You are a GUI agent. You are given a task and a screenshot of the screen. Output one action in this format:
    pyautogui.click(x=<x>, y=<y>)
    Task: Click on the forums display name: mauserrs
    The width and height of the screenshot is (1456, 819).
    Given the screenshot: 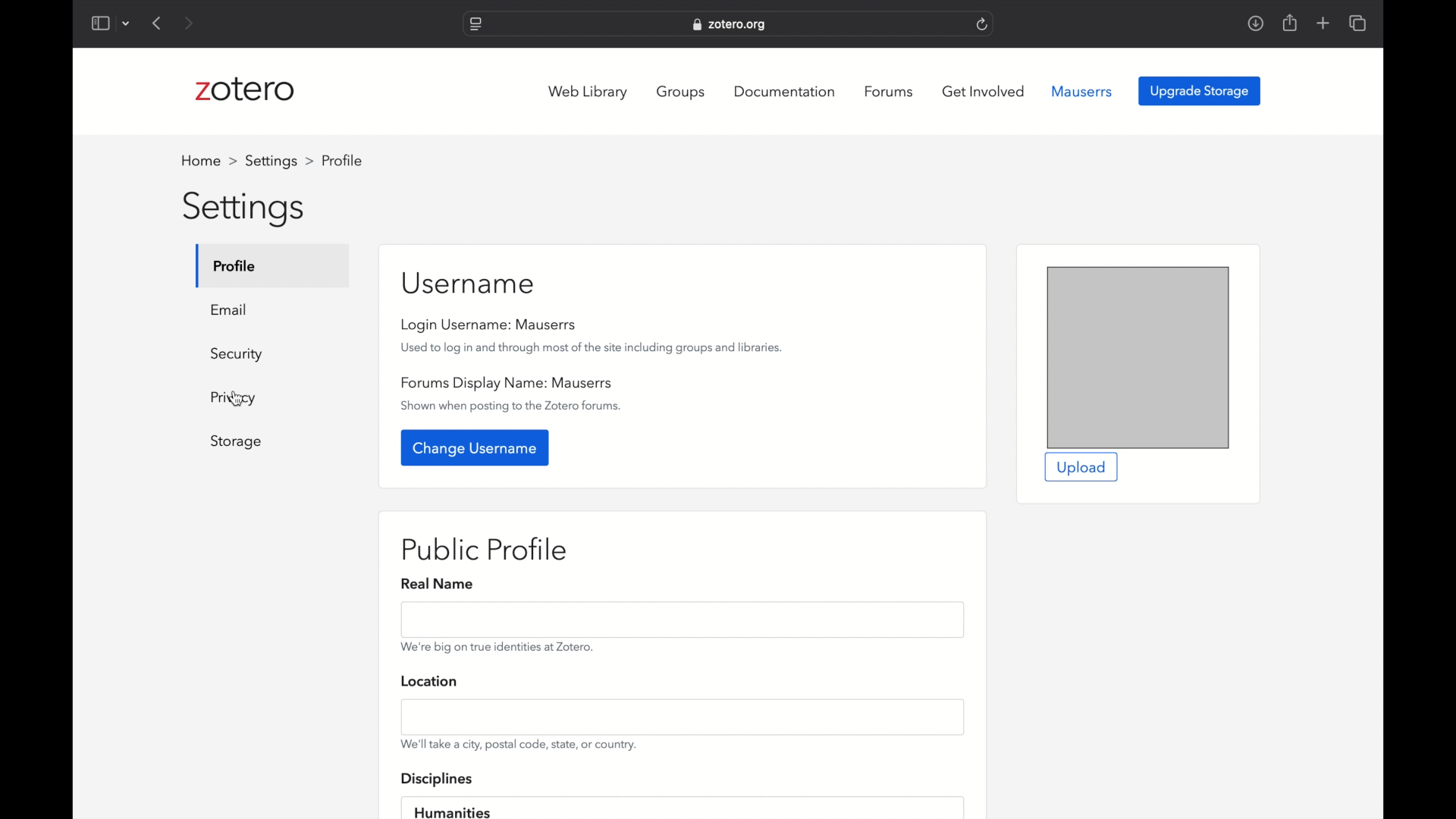 What is the action you would take?
    pyautogui.click(x=506, y=383)
    